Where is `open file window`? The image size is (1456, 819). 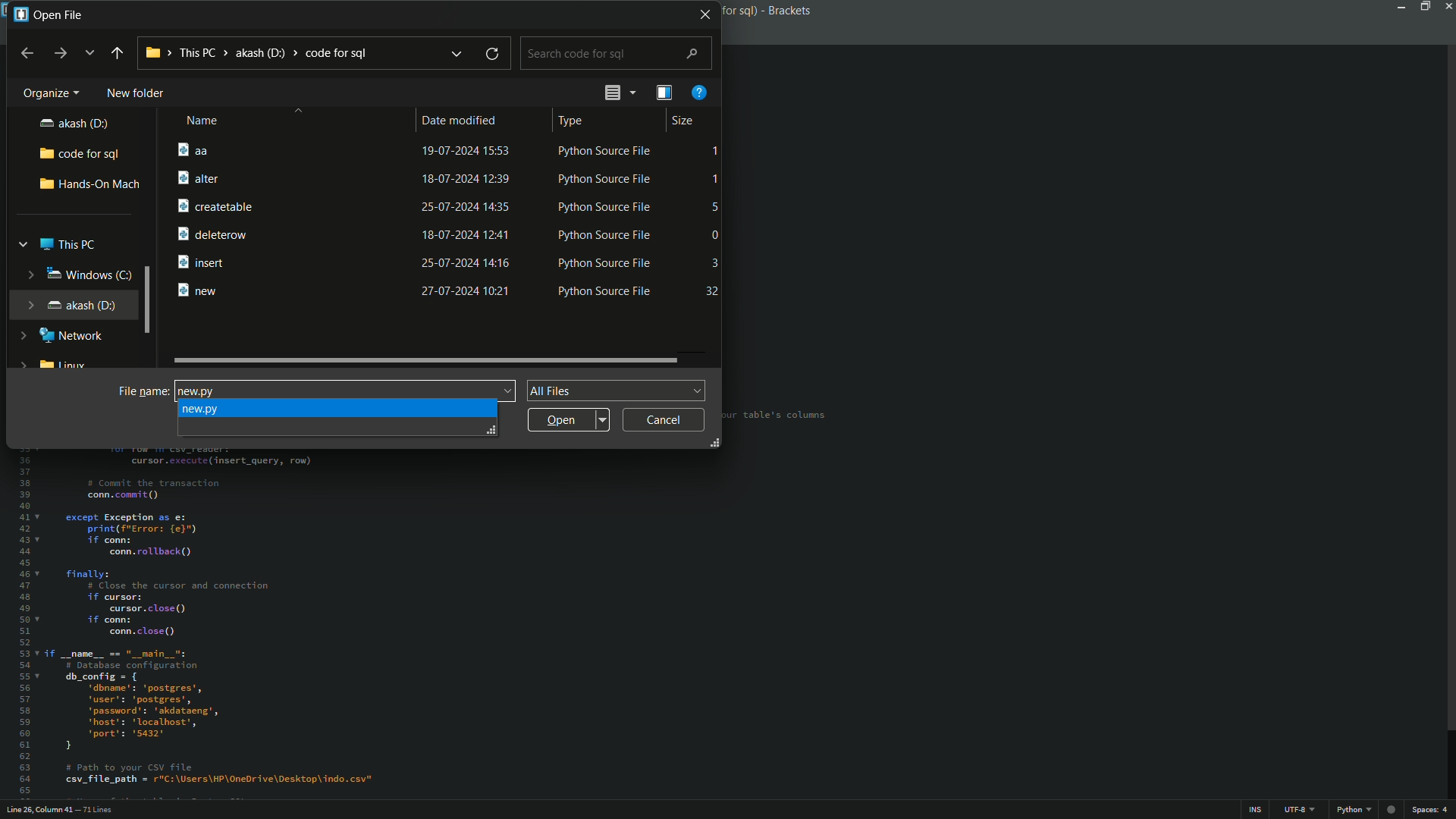 open file window is located at coordinates (59, 15).